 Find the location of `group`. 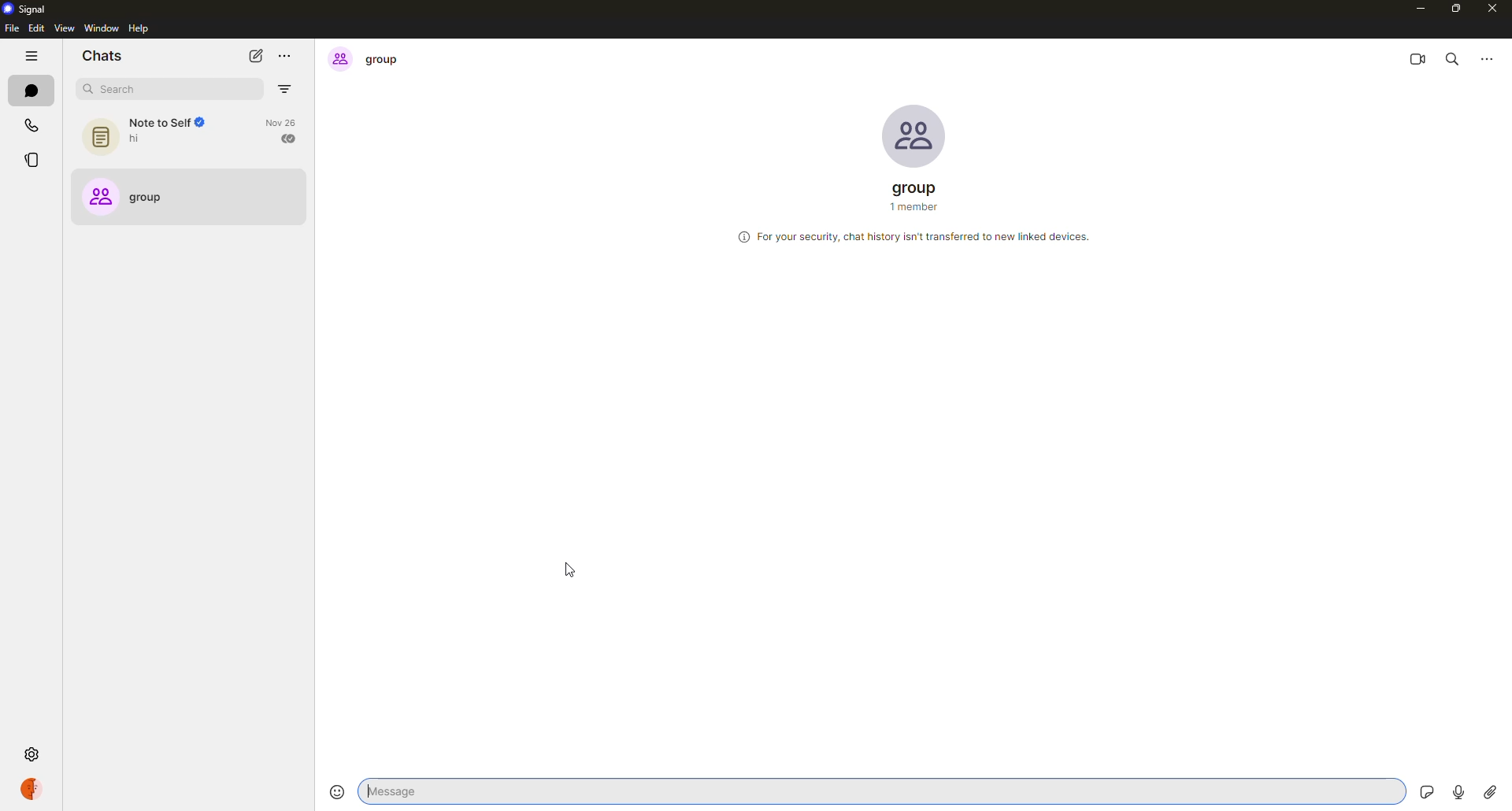

group is located at coordinates (373, 60).